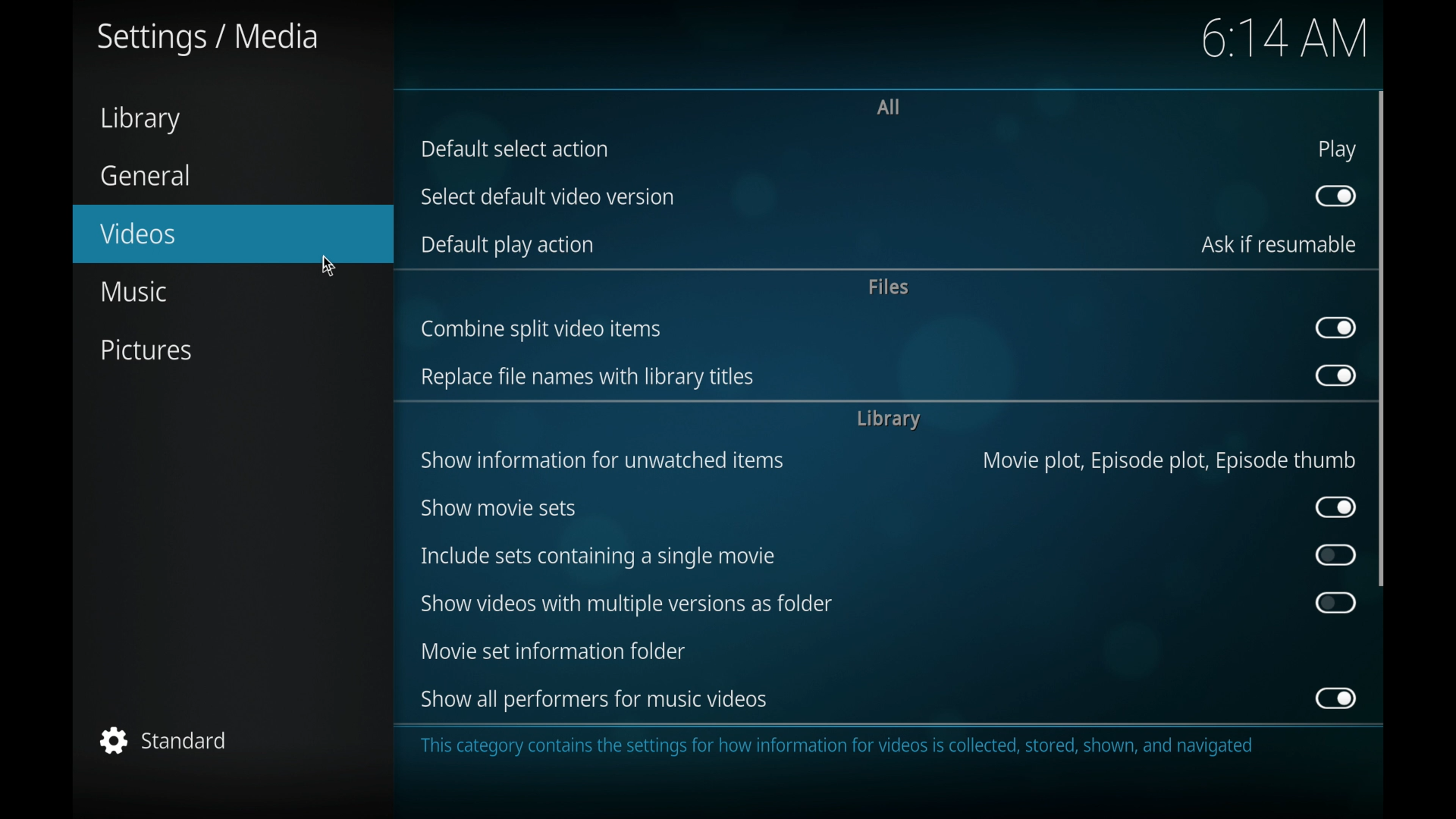 The image size is (1456, 819). I want to click on movie plot, so click(1169, 462).